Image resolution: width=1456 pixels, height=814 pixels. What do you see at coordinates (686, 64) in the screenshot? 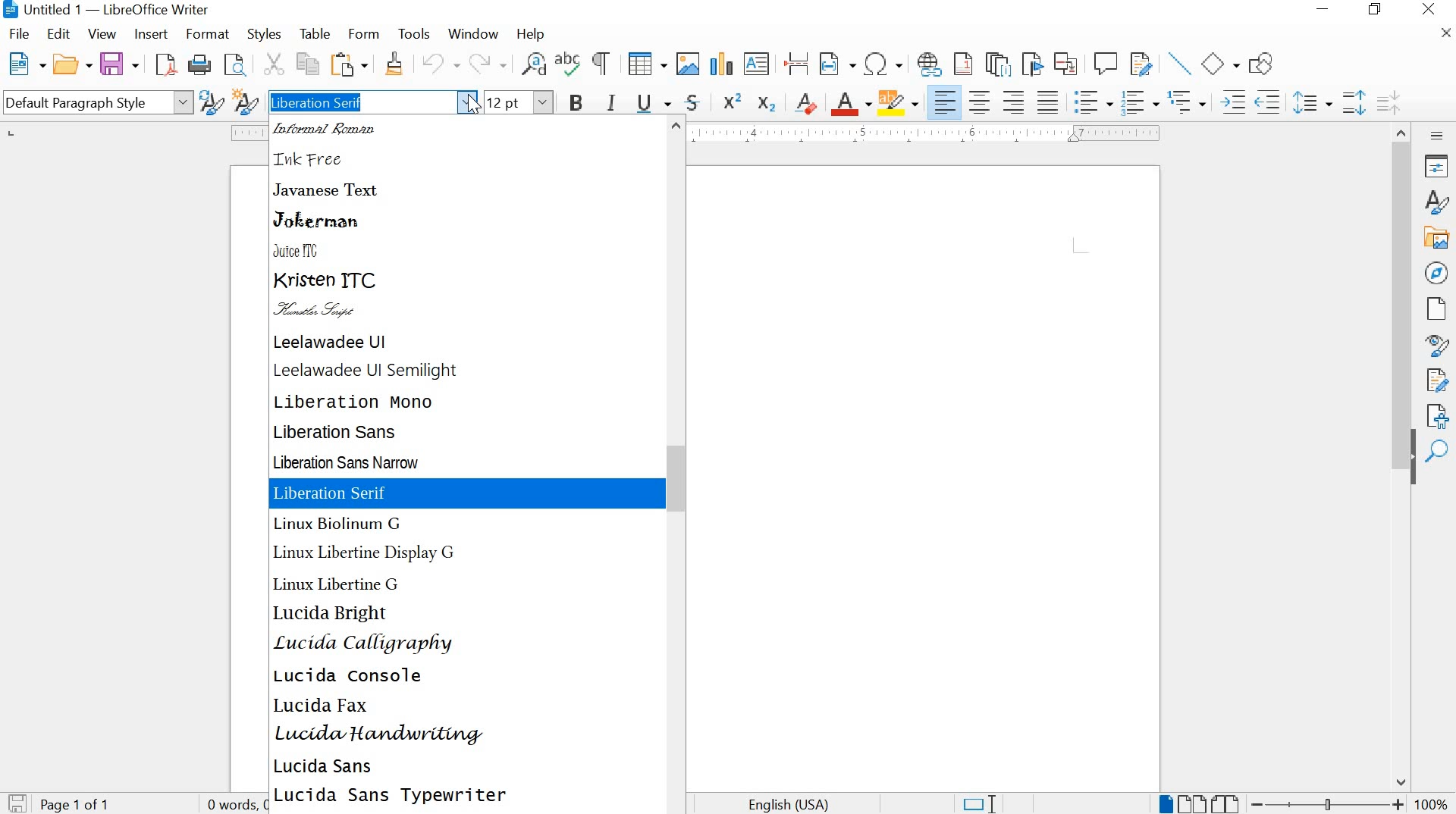
I see `INSERT IMAGE` at bounding box center [686, 64].